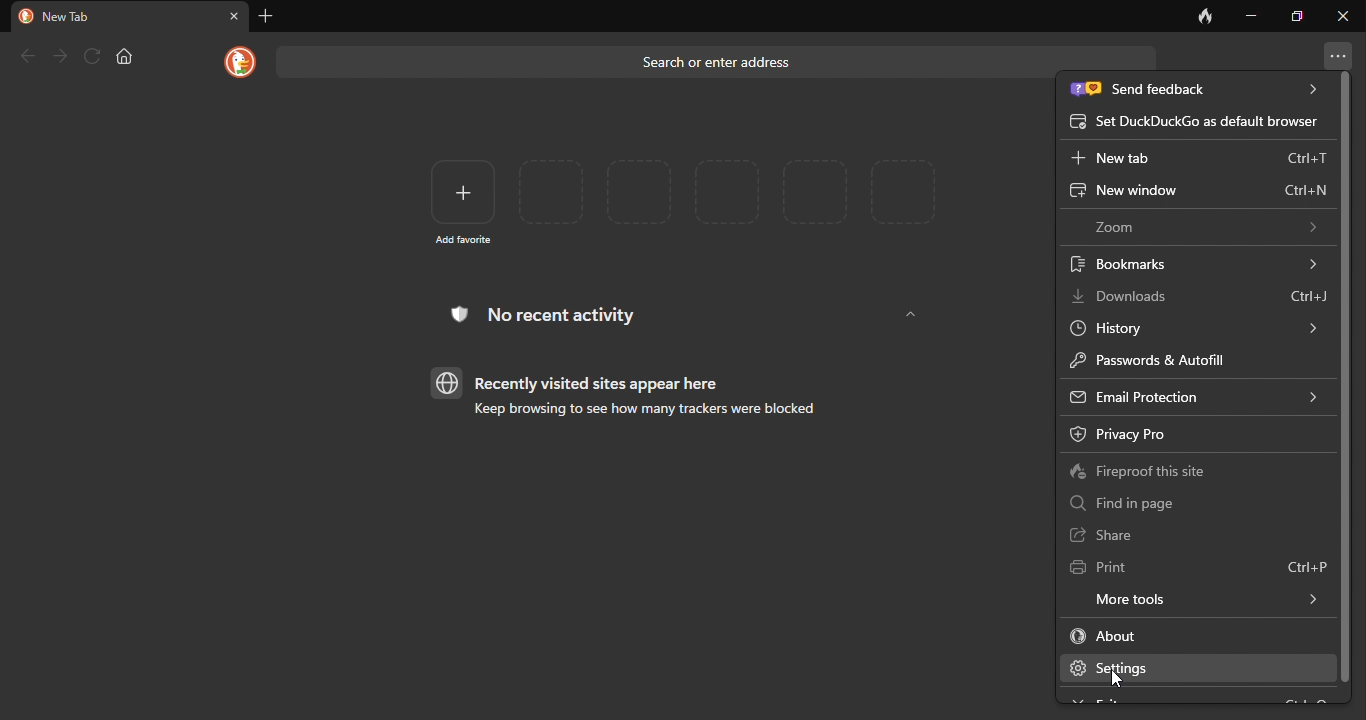  I want to click on new tab and more, so click(1337, 55).